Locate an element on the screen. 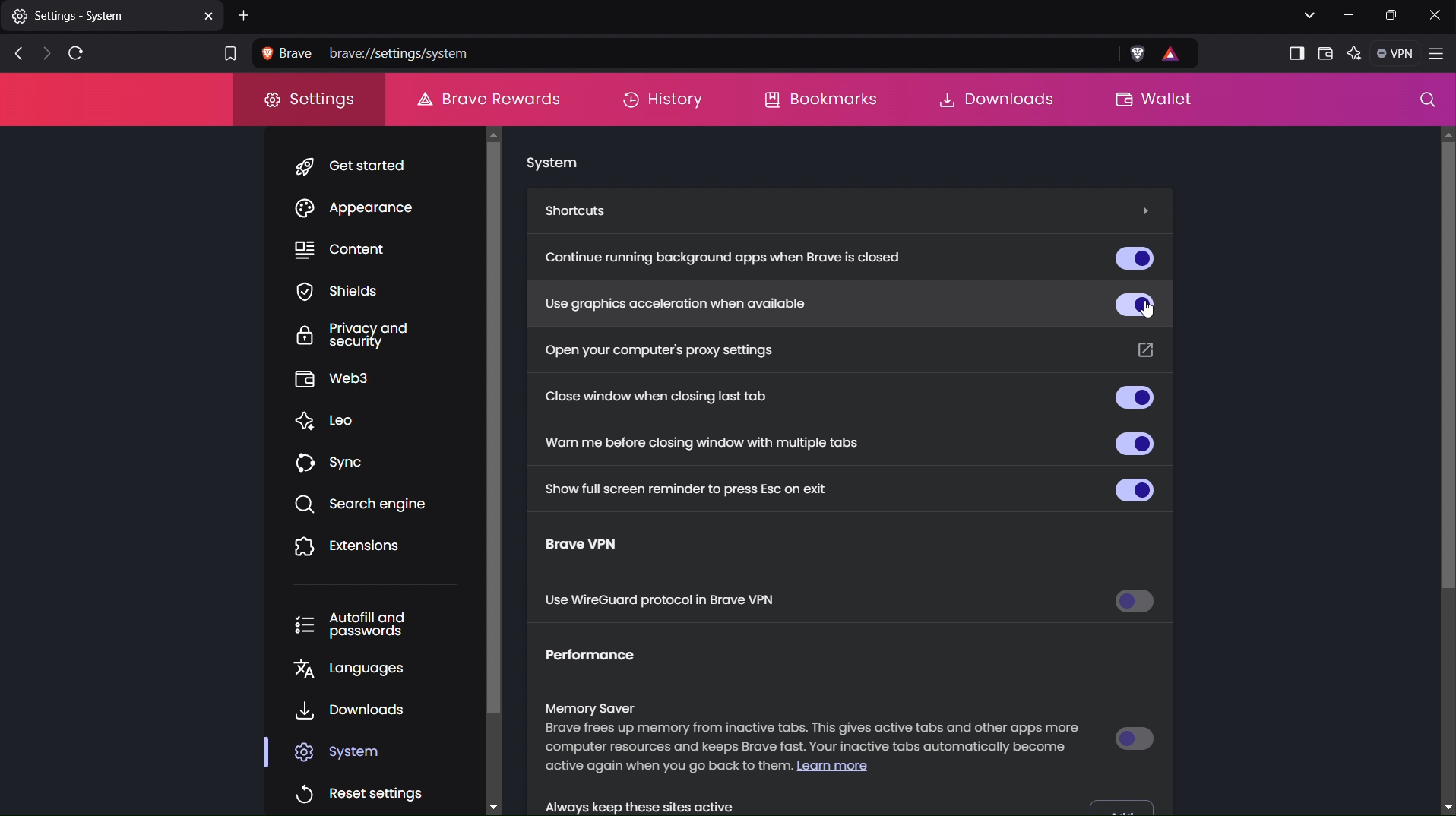 Image resolution: width=1456 pixels, height=816 pixels. Appearance is located at coordinates (362, 210).